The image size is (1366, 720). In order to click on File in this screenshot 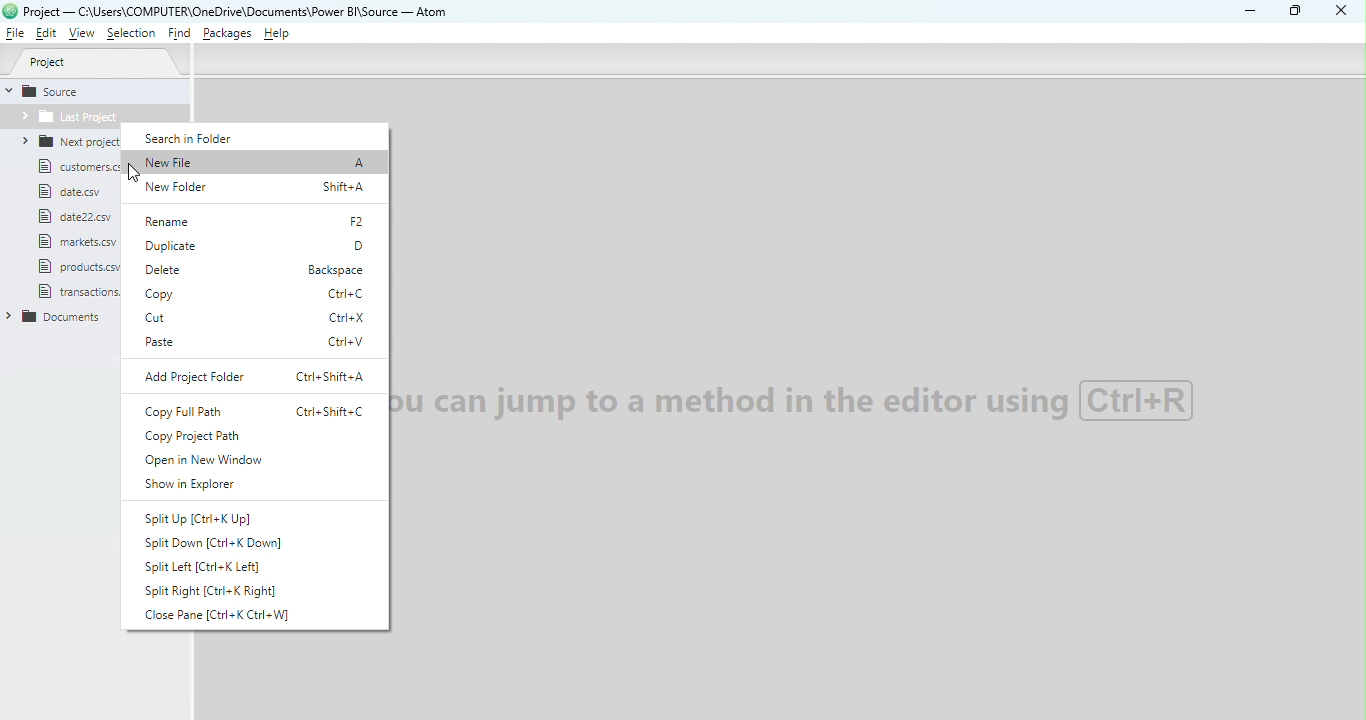, I will do `click(17, 34)`.